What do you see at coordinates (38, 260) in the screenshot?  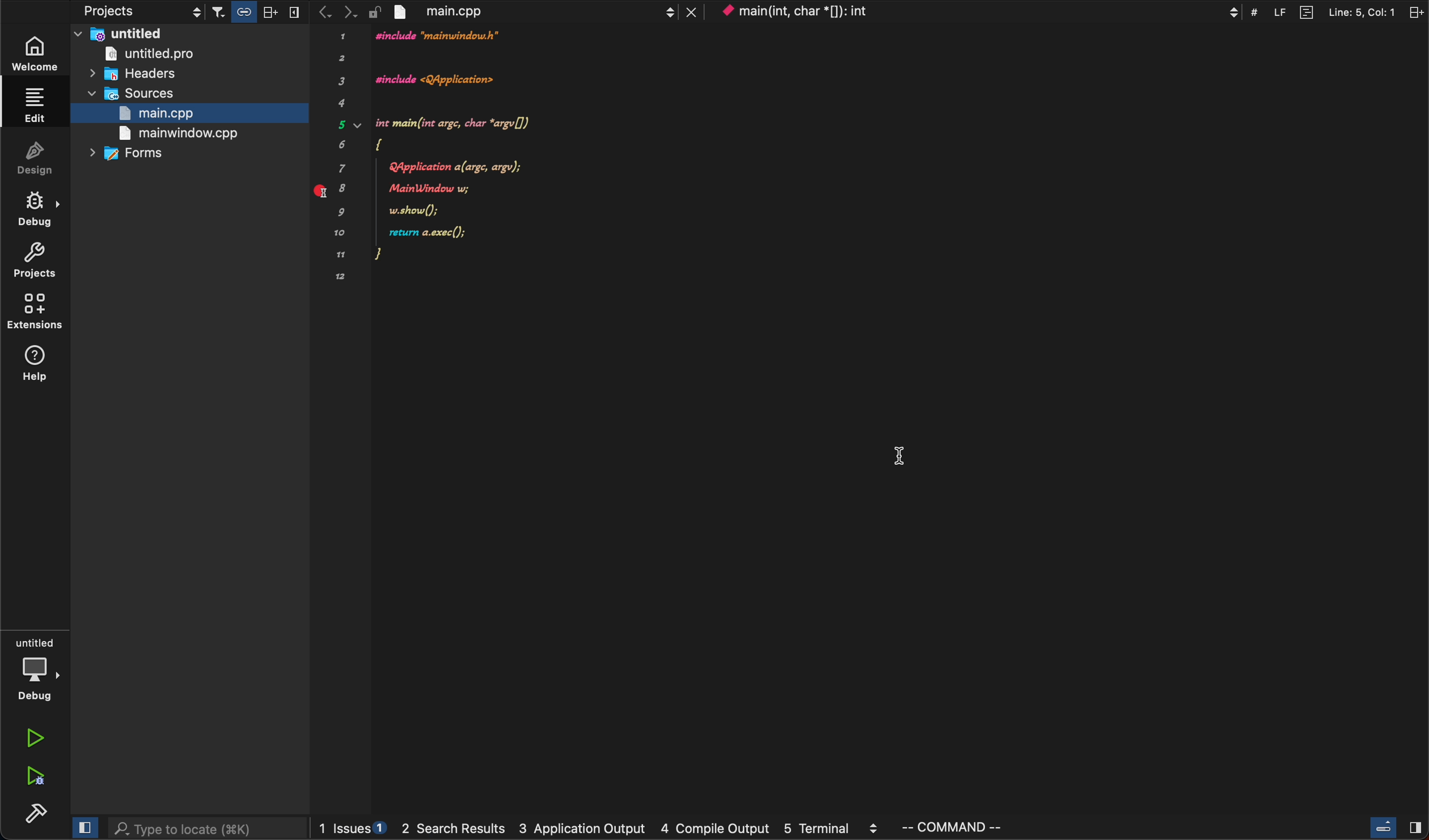 I see `projects` at bounding box center [38, 260].